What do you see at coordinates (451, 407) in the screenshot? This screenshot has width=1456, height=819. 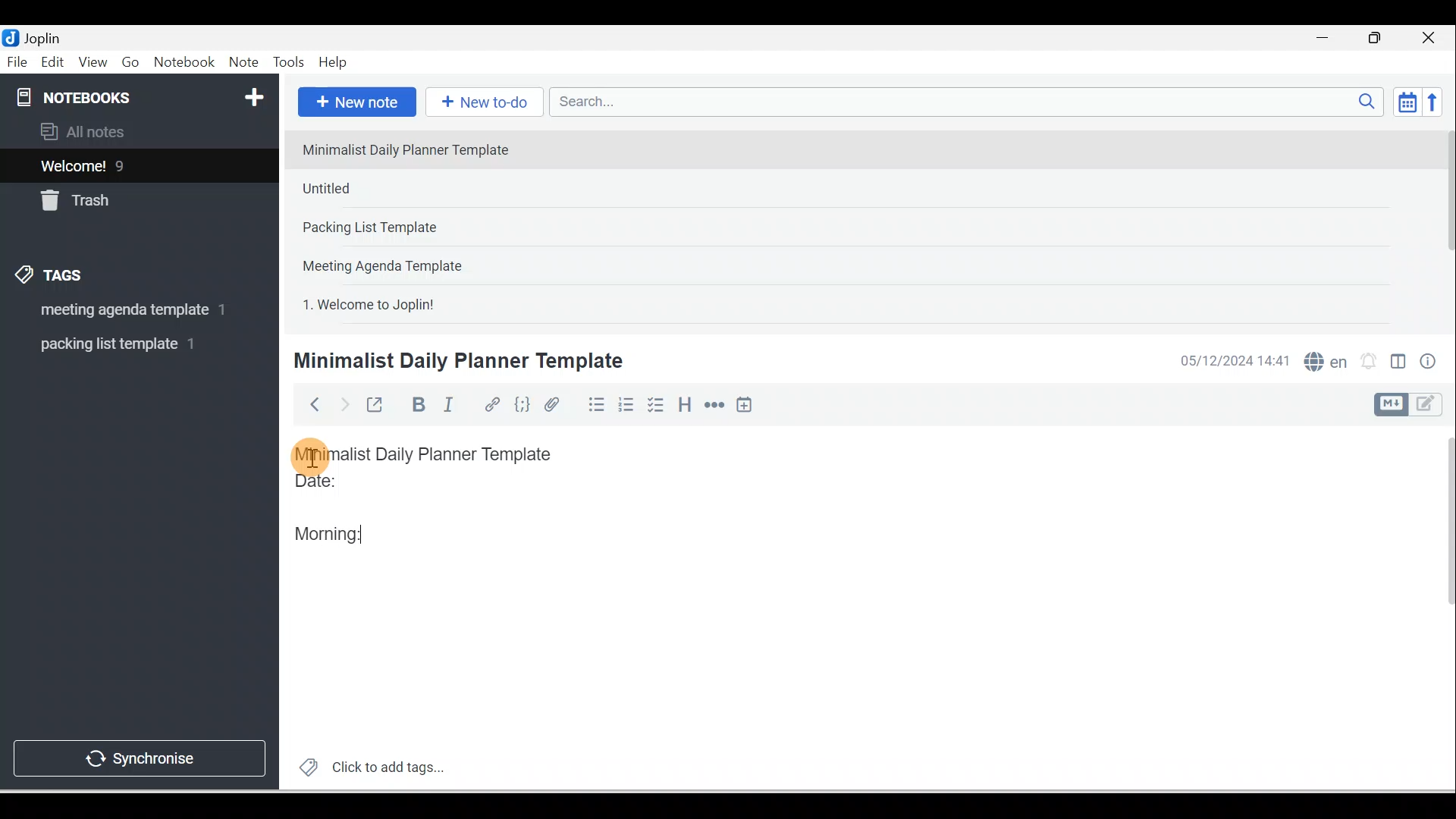 I see `Italic` at bounding box center [451, 407].